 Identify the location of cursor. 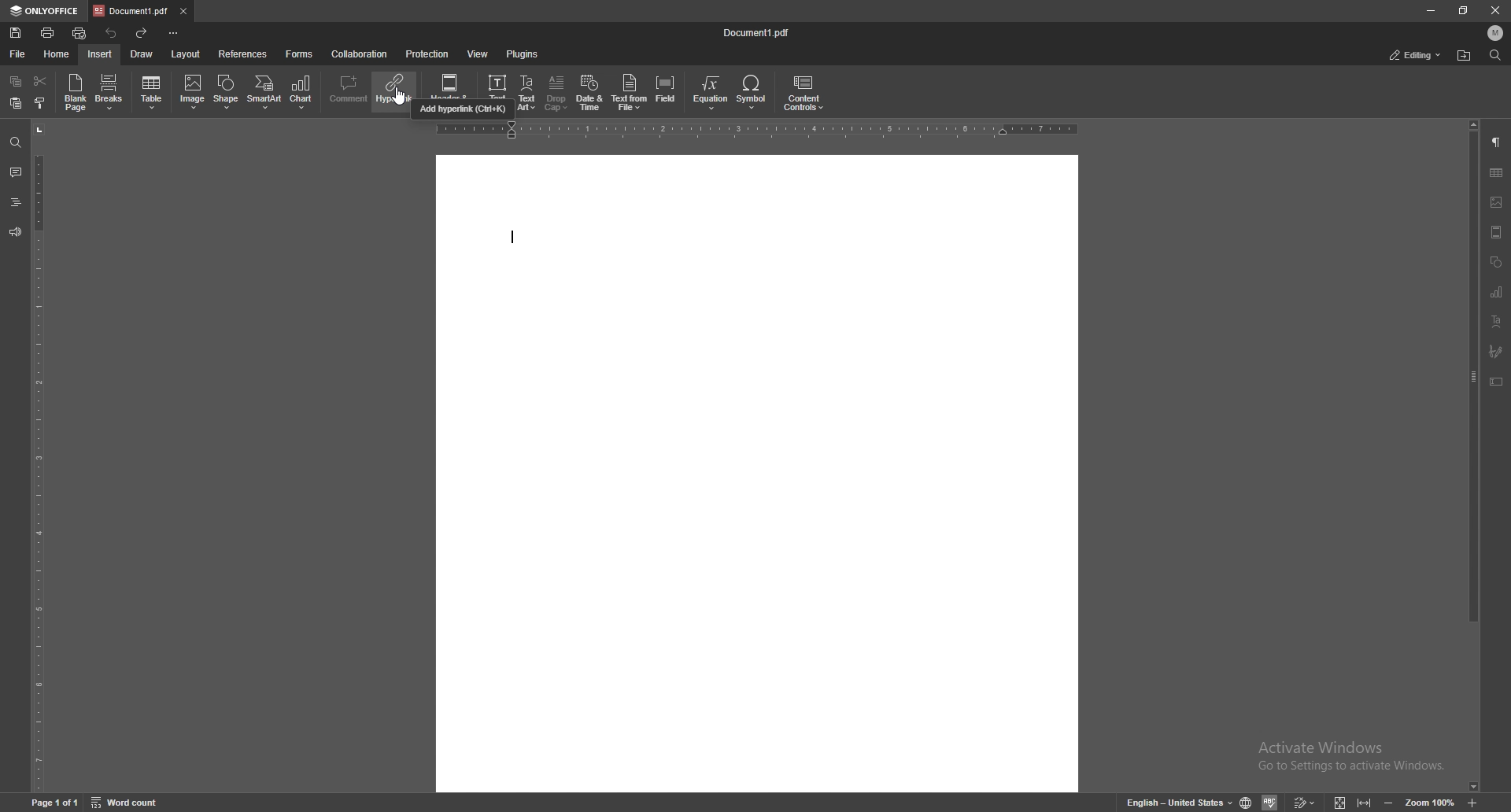
(398, 98).